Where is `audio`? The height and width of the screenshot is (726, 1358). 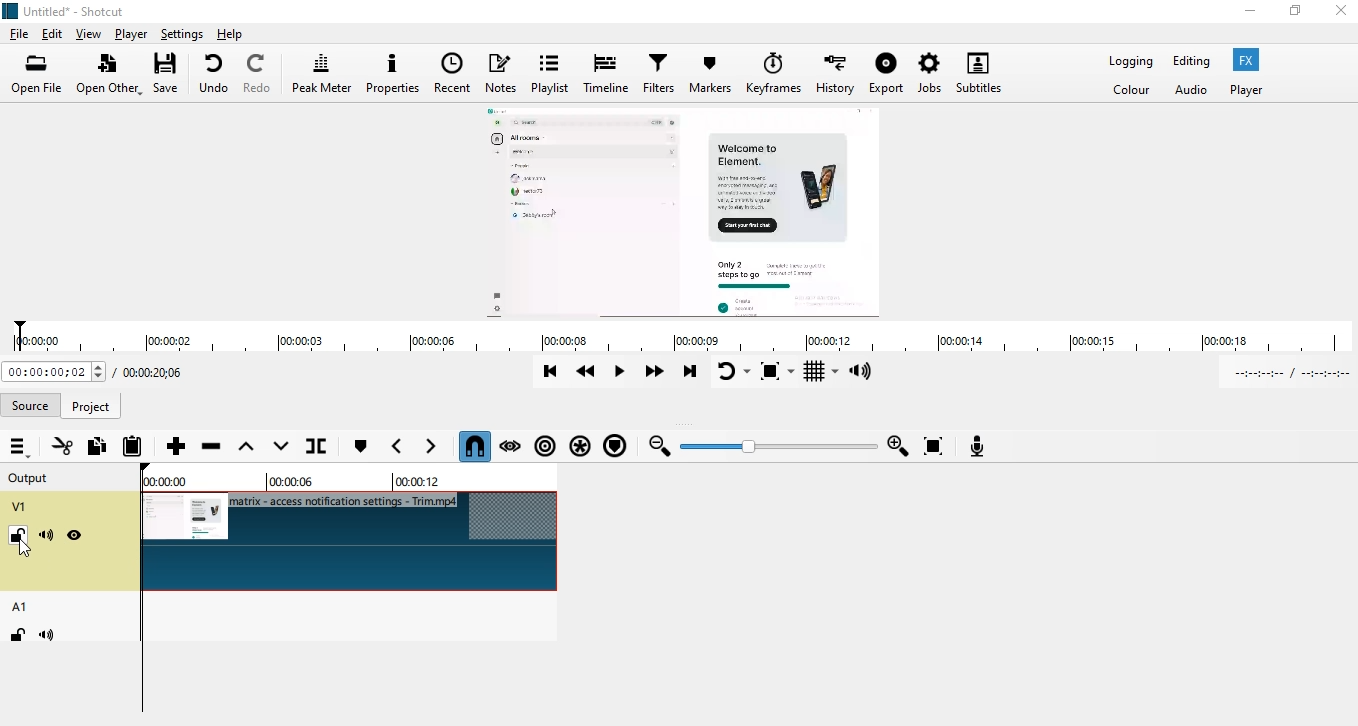
audio is located at coordinates (1191, 91).